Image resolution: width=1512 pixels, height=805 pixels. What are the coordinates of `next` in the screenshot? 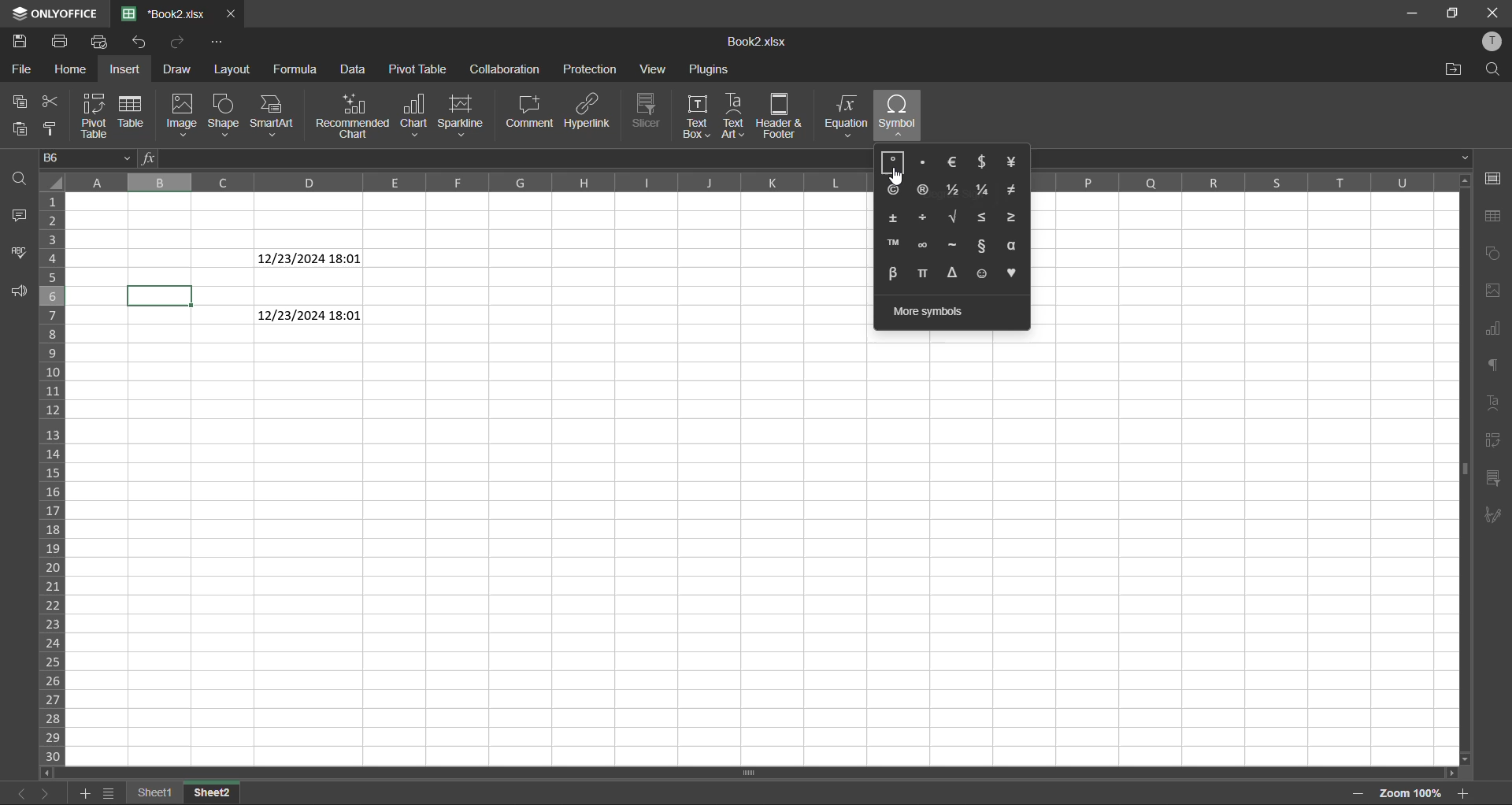 It's located at (46, 793).